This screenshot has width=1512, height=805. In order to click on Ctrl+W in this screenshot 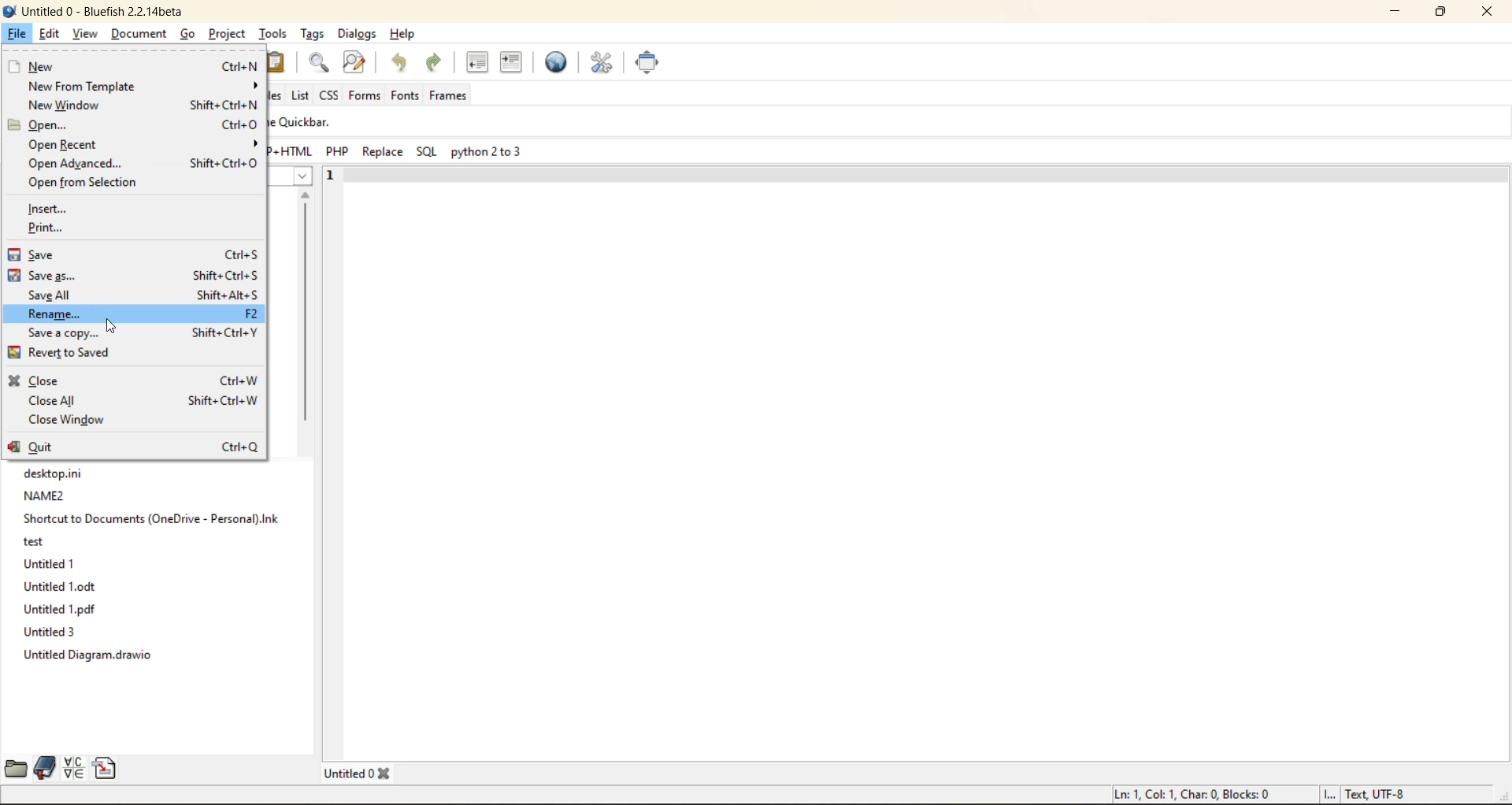, I will do `click(237, 377)`.